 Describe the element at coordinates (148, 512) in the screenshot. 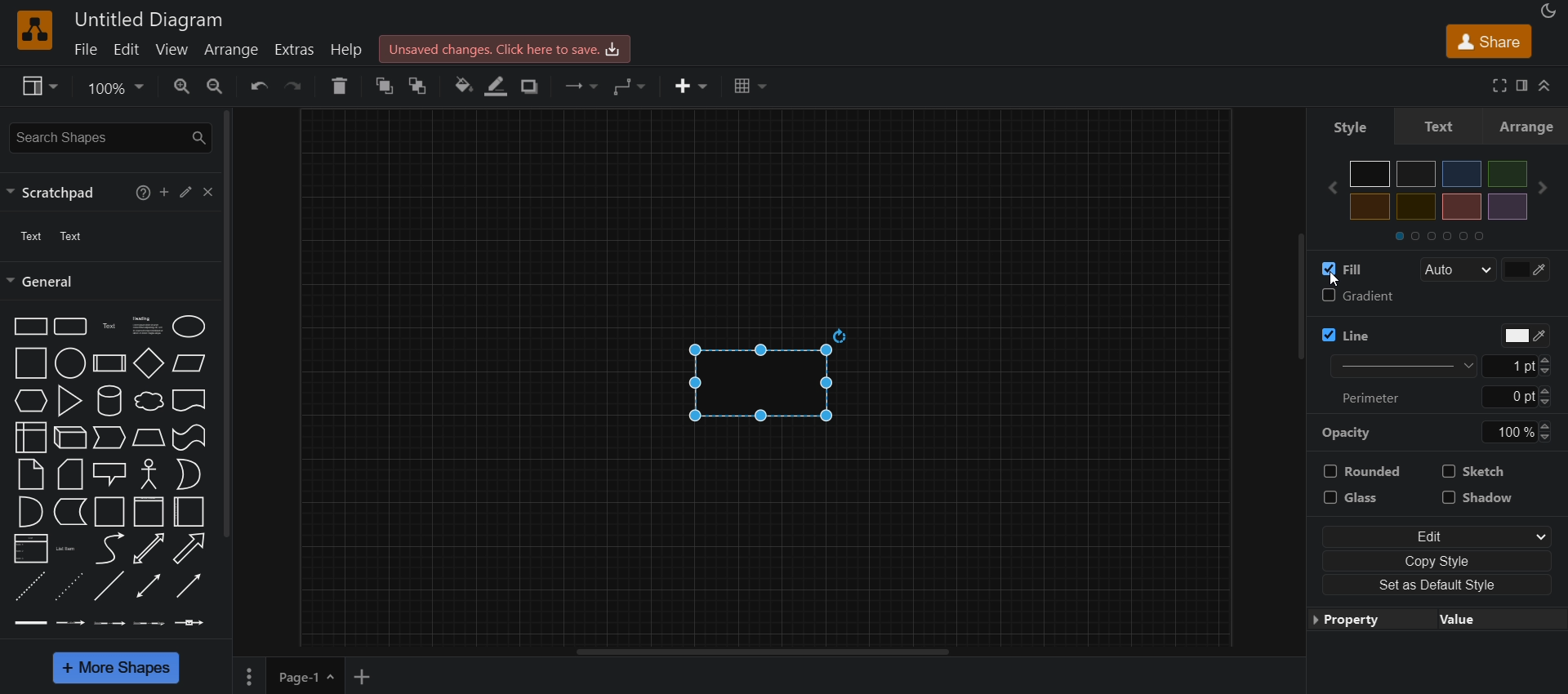

I see `vertical container` at that location.